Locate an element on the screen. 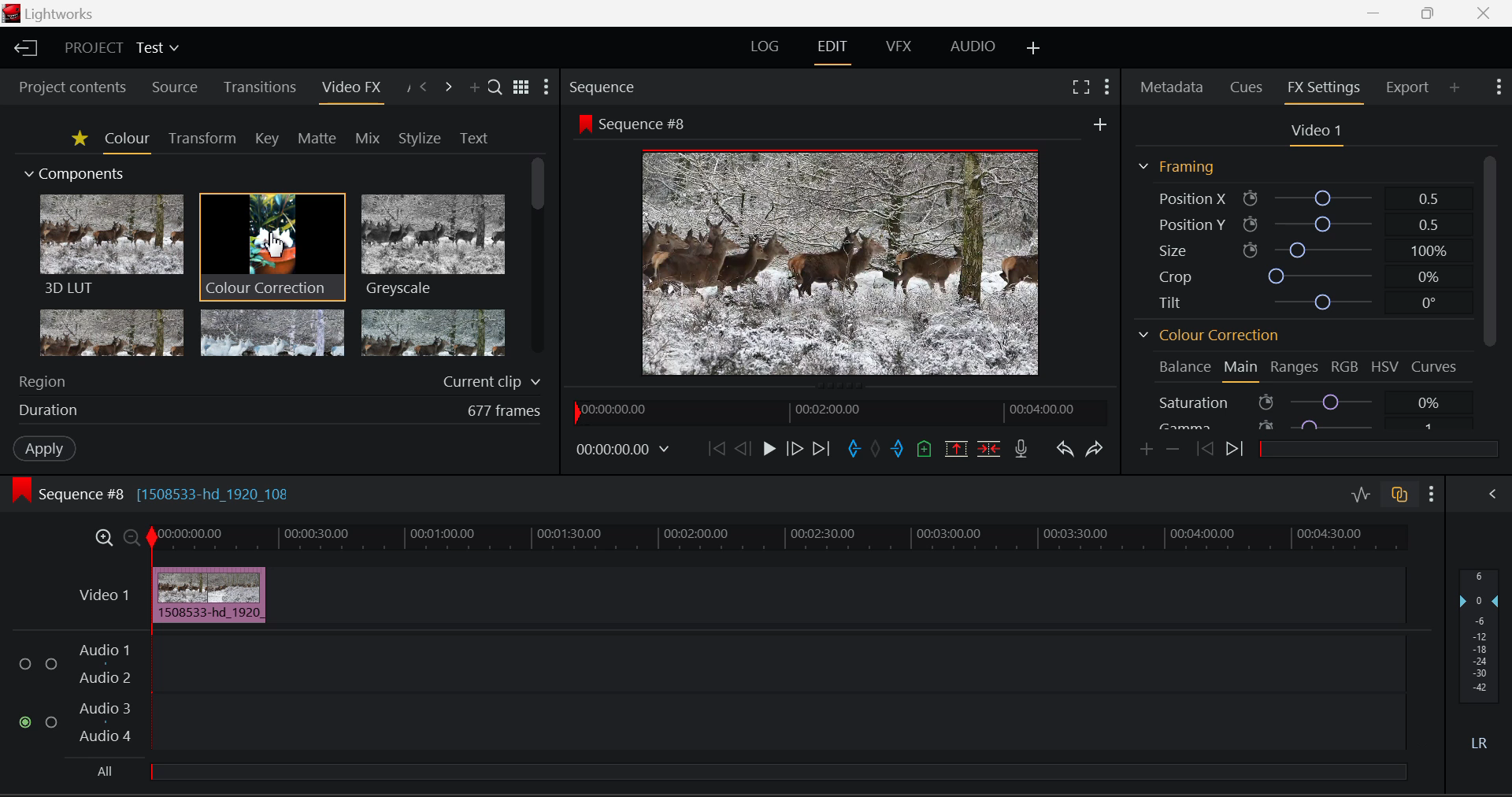  Remove all marks is located at coordinates (875, 449).